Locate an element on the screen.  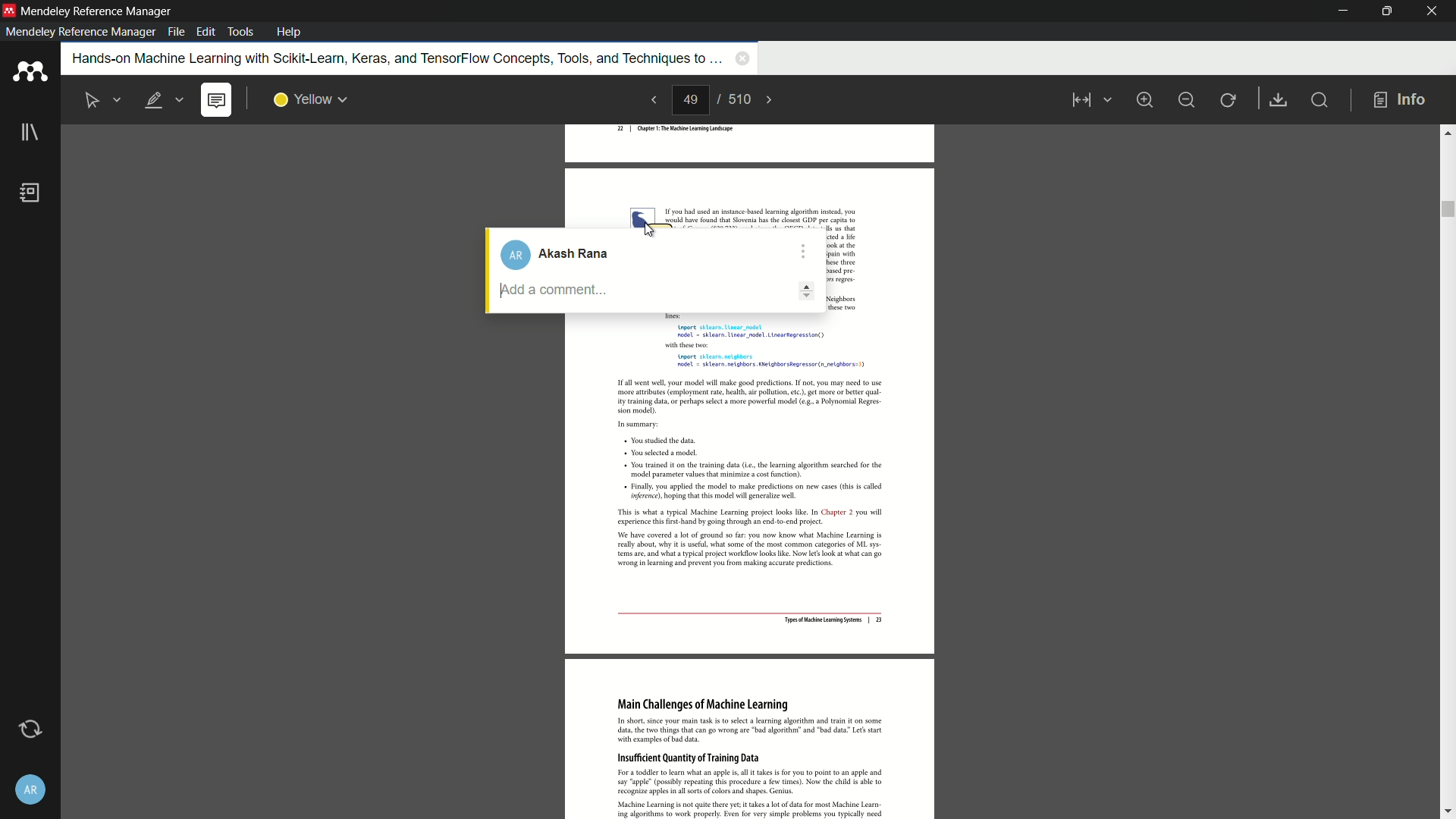
zoom out is located at coordinates (1187, 99).